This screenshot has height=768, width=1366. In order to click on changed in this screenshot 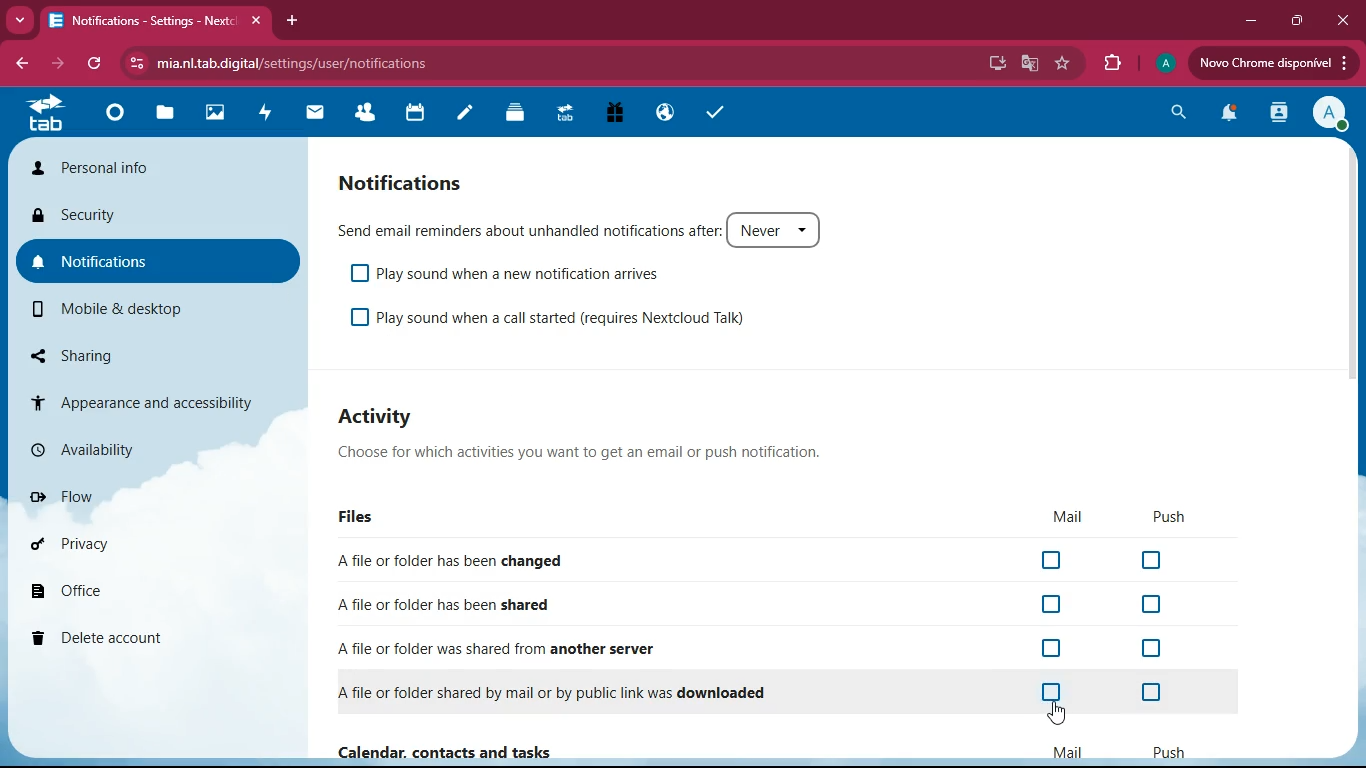, I will do `click(458, 560)`.